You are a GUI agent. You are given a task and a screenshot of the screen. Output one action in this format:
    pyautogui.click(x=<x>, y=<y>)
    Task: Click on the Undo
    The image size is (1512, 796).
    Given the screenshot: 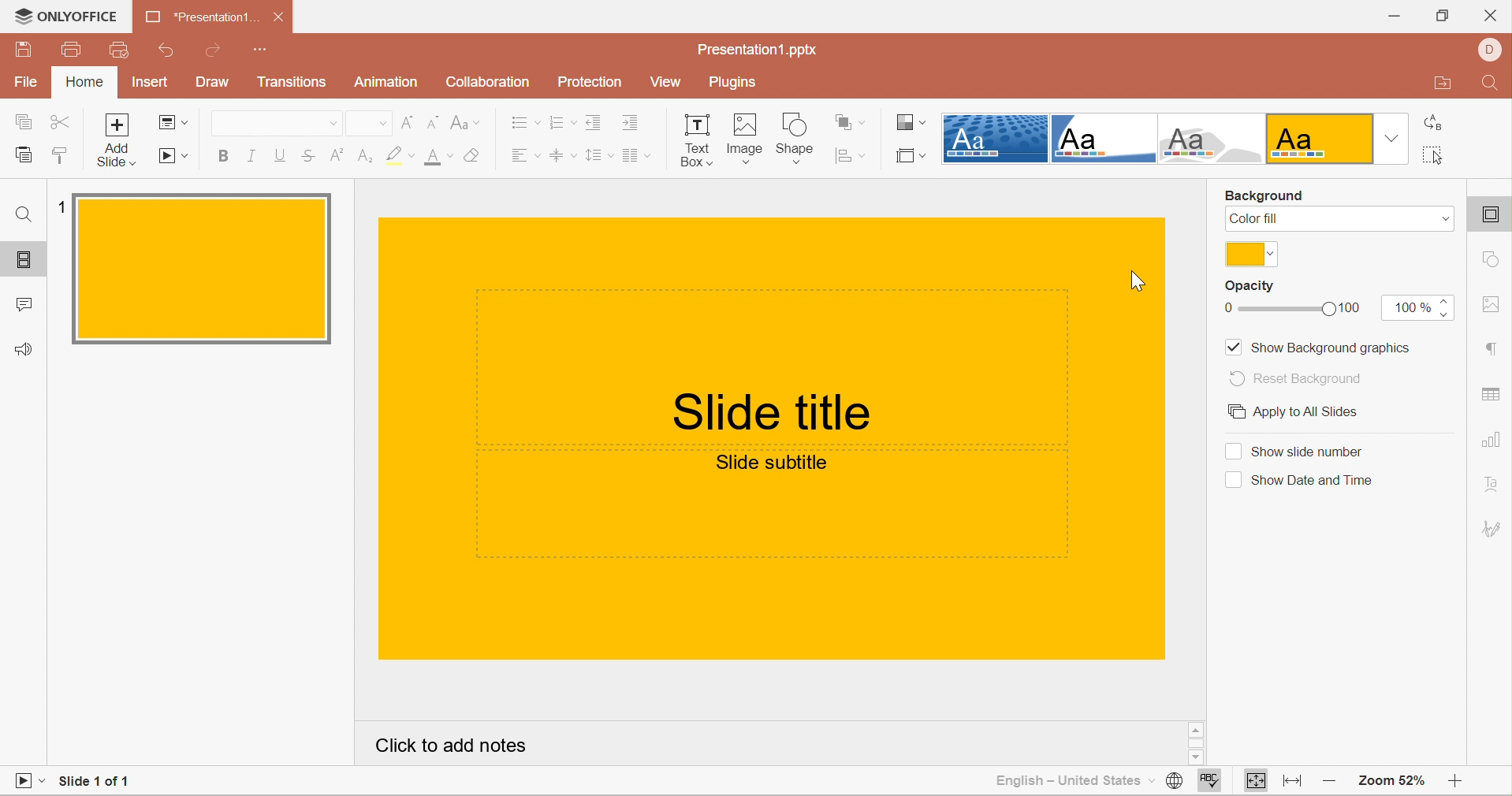 What is the action you would take?
    pyautogui.click(x=169, y=52)
    